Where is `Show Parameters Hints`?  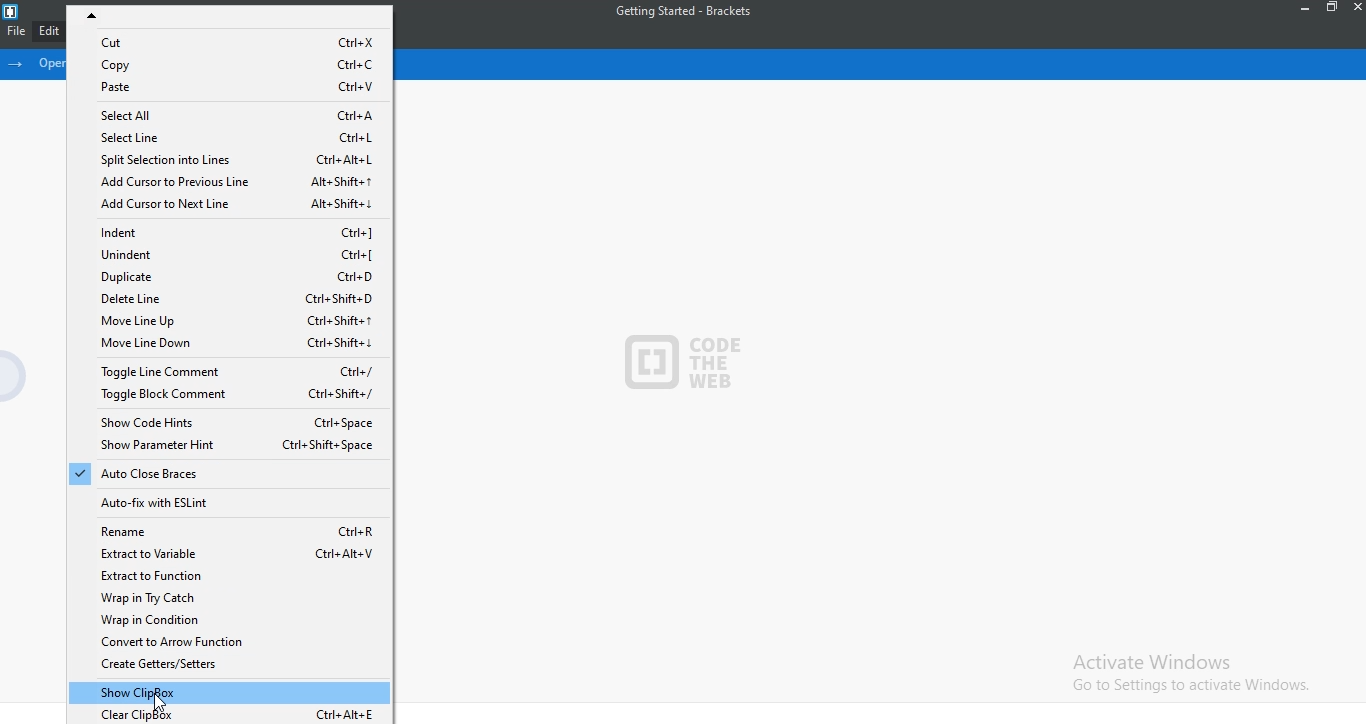
Show Parameters Hints is located at coordinates (225, 447).